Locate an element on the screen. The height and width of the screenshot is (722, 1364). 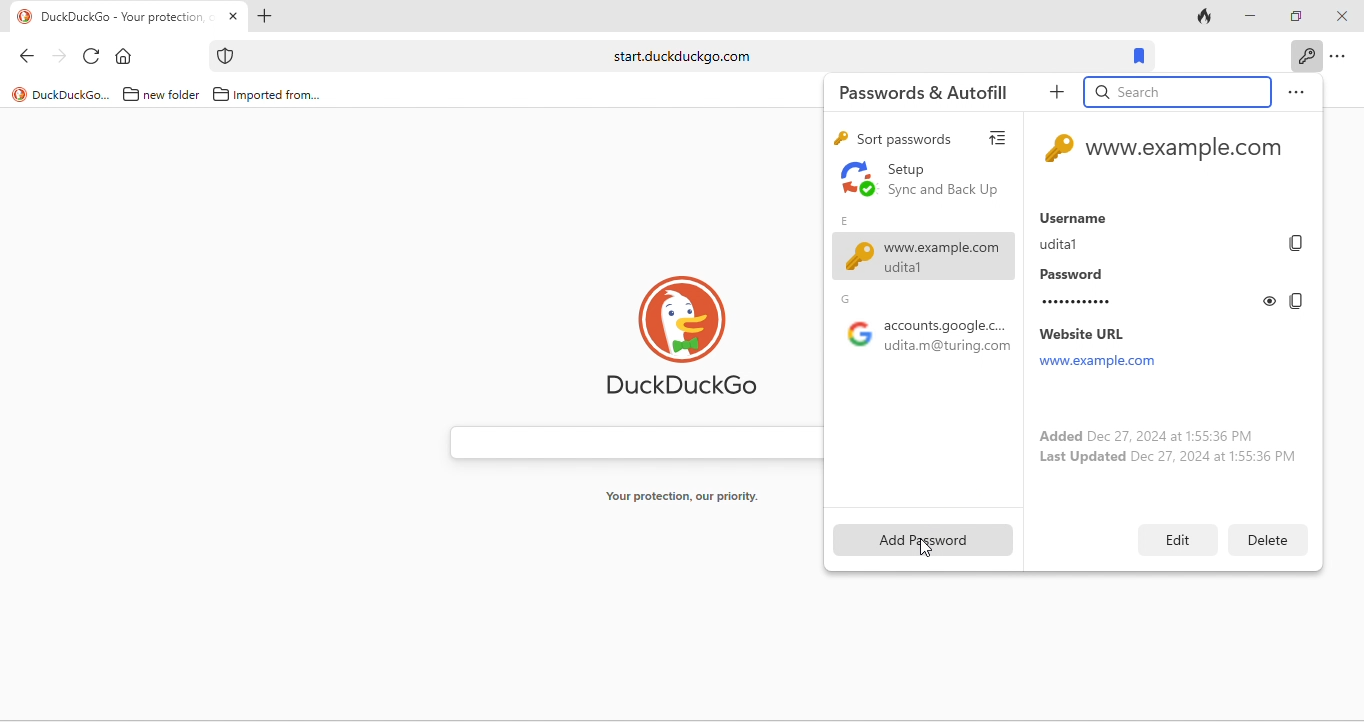
search bar is located at coordinates (626, 438).